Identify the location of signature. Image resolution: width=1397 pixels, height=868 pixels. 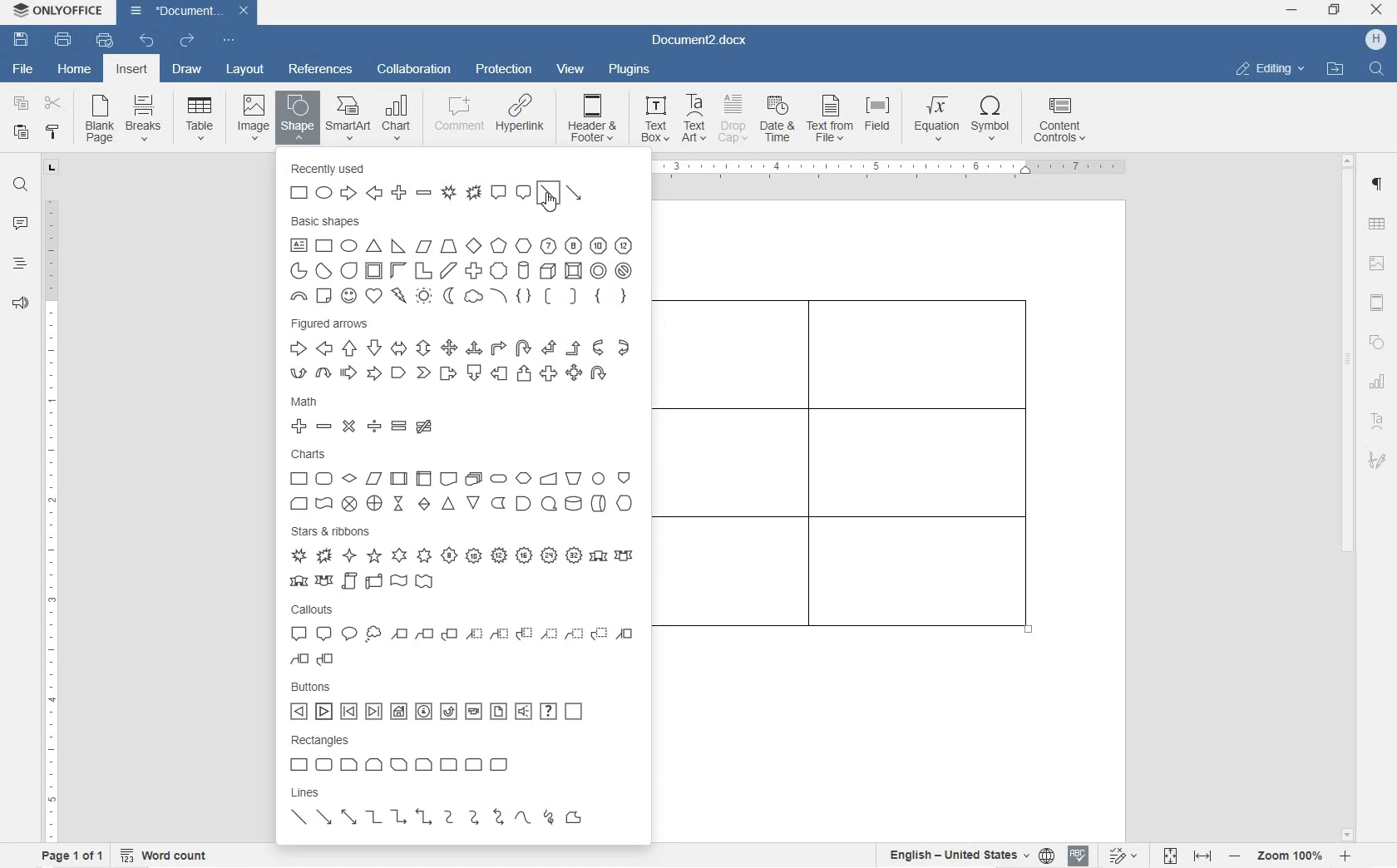
(1376, 460).